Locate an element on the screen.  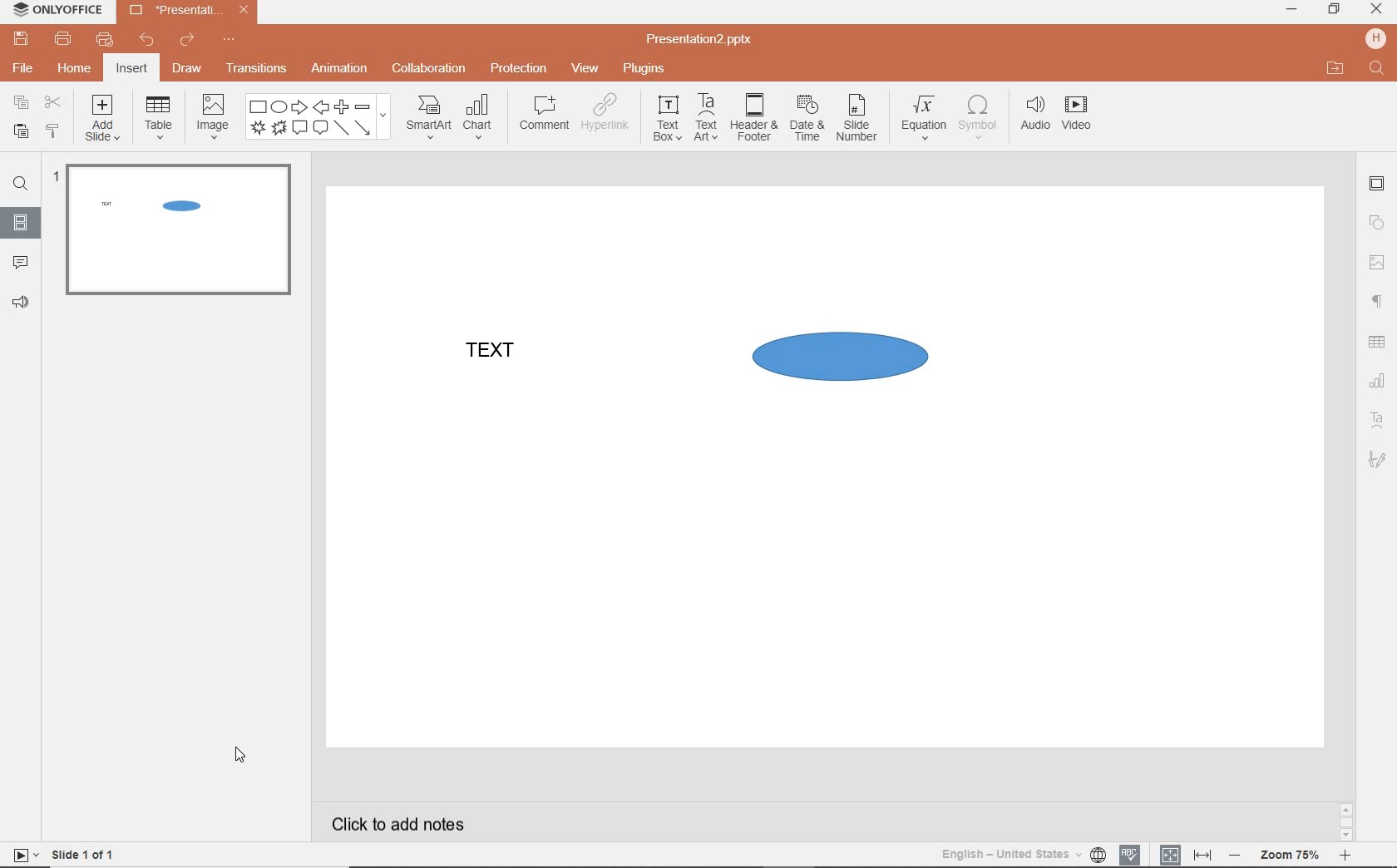
ZOOM is located at coordinates (1289, 857).